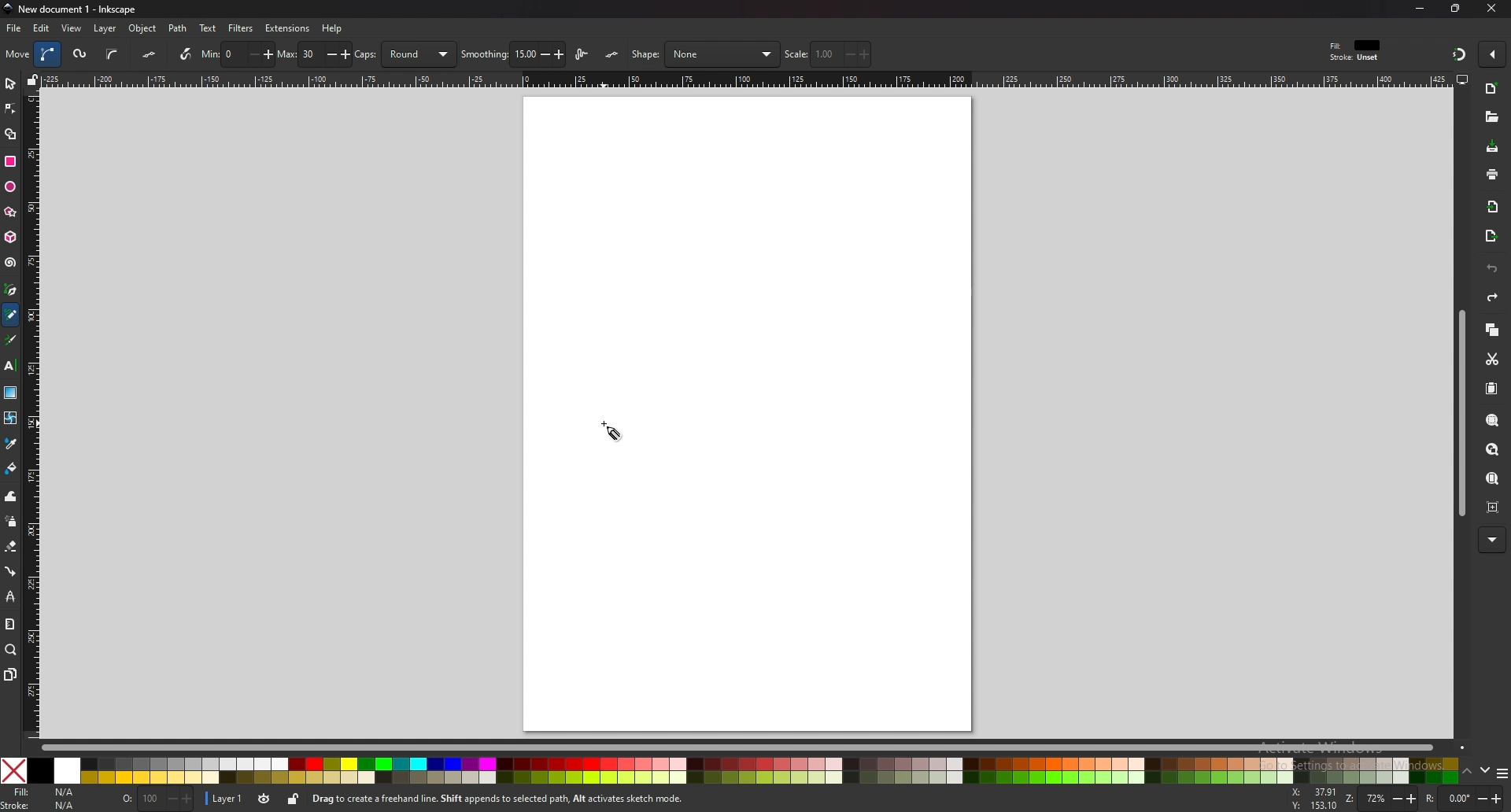 The image size is (1511, 812). Describe the element at coordinates (1491, 507) in the screenshot. I see `zoom centre page` at that location.